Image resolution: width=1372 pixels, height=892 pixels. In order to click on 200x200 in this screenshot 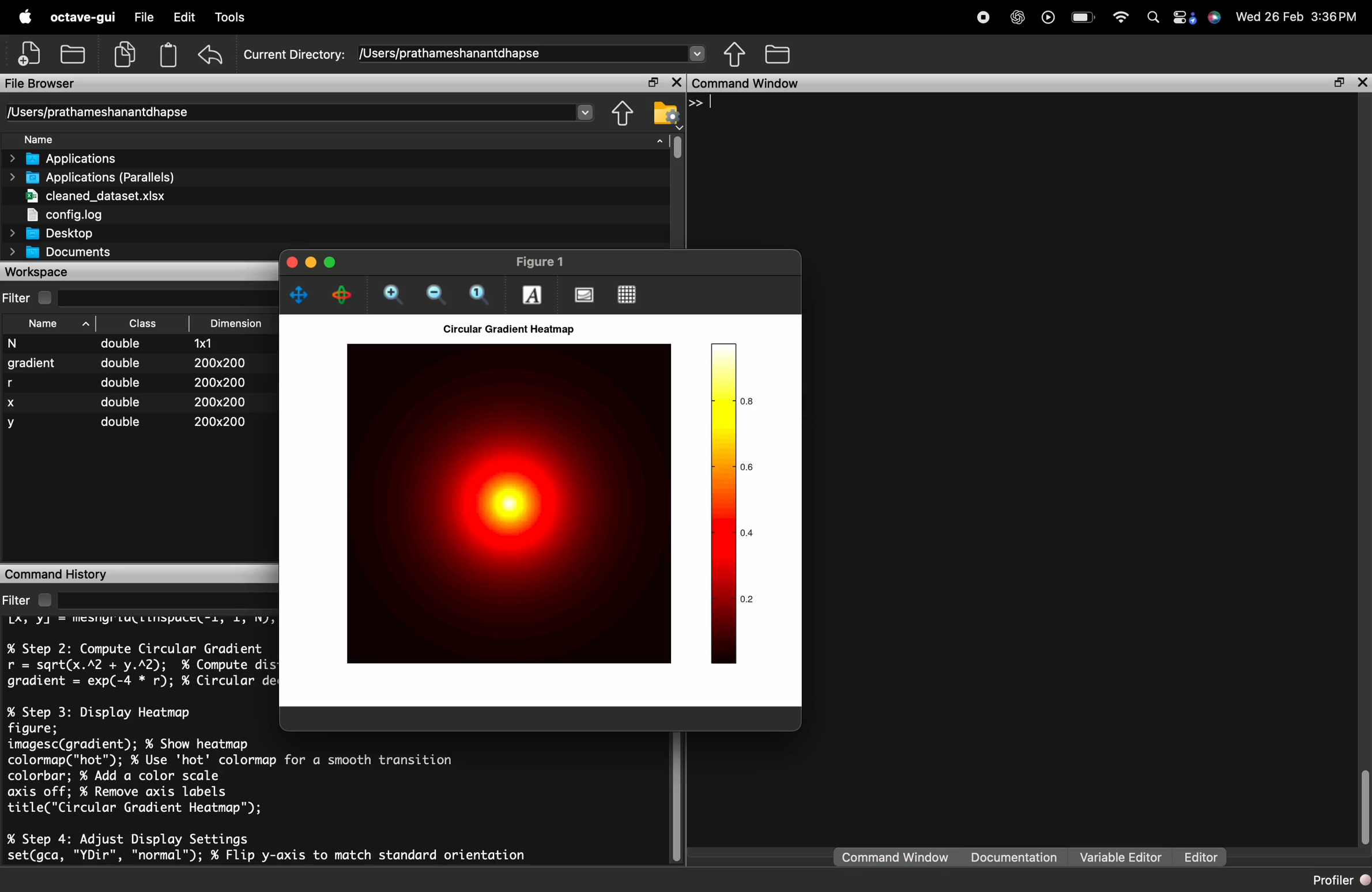, I will do `click(218, 362)`.